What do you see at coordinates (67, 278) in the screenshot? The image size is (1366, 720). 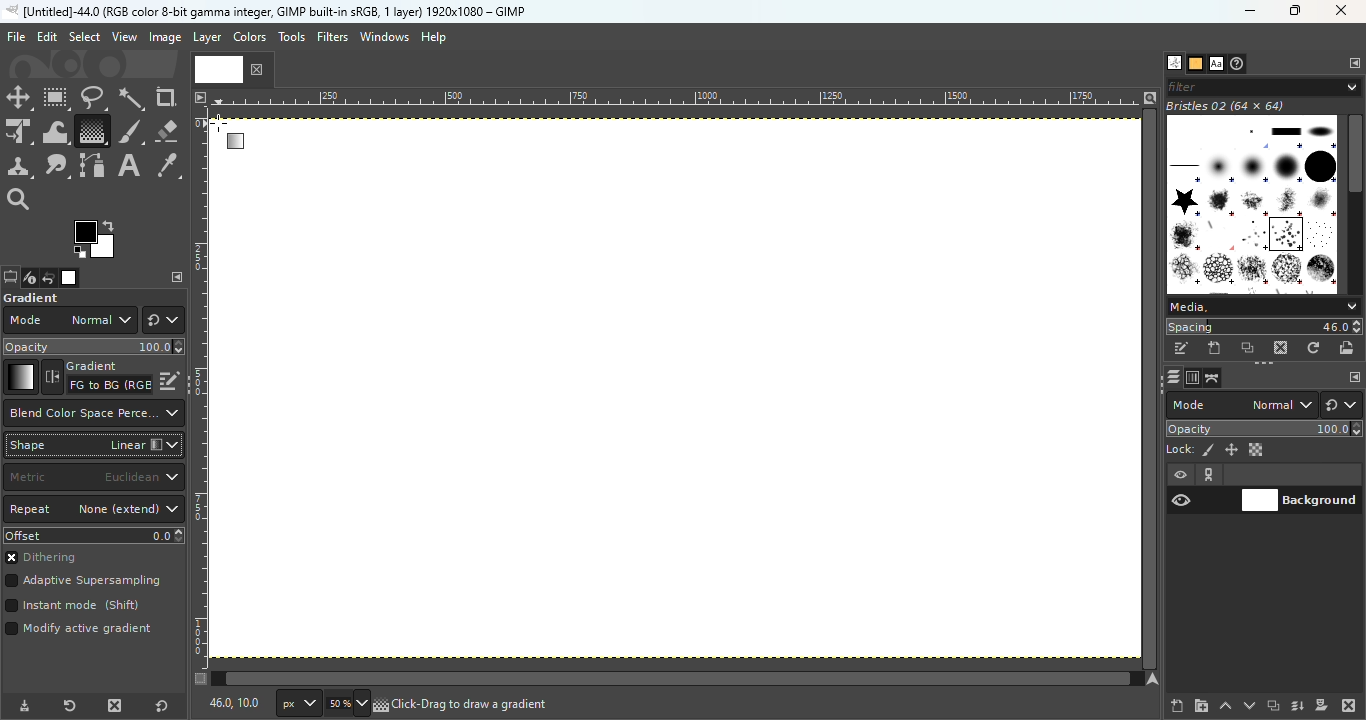 I see `Open the image dialog` at bounding box center [67, 278].